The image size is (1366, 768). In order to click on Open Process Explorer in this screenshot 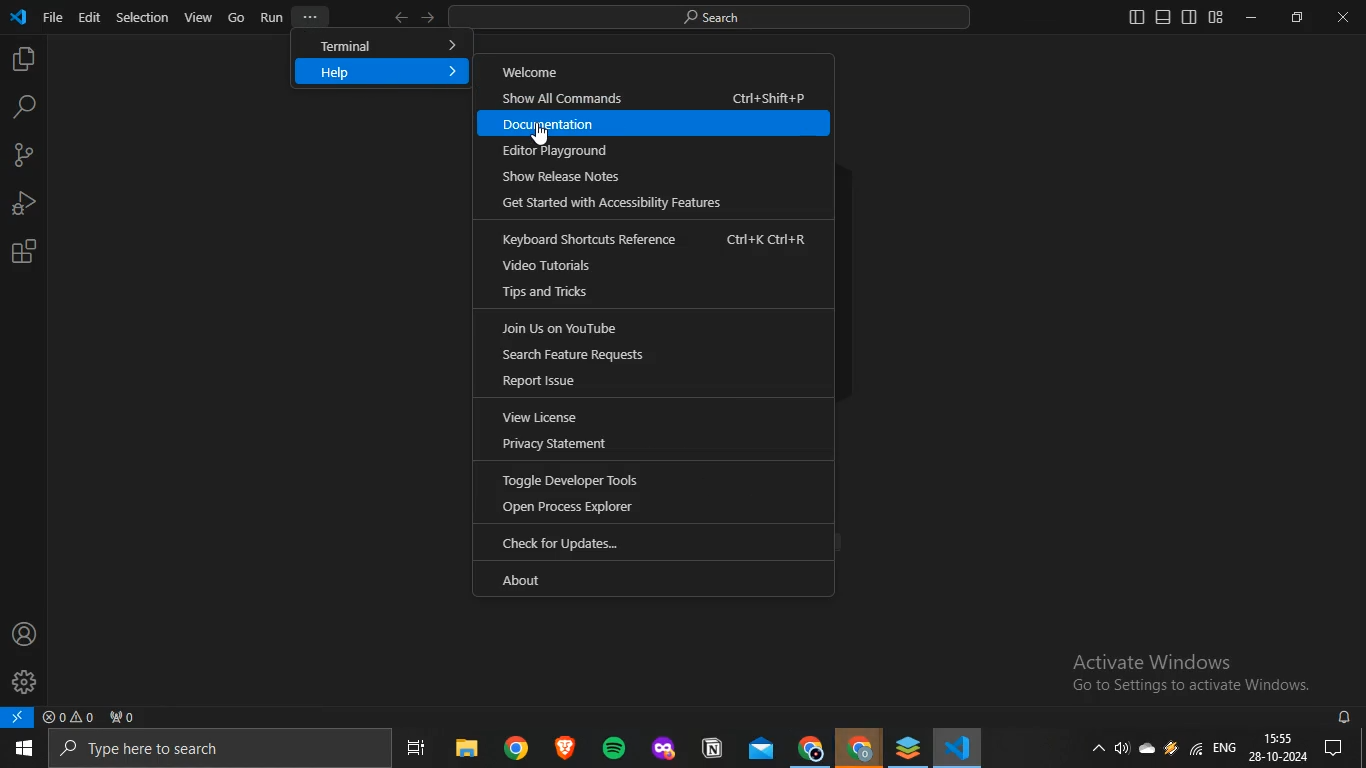, I will do `click(651, 510)`.